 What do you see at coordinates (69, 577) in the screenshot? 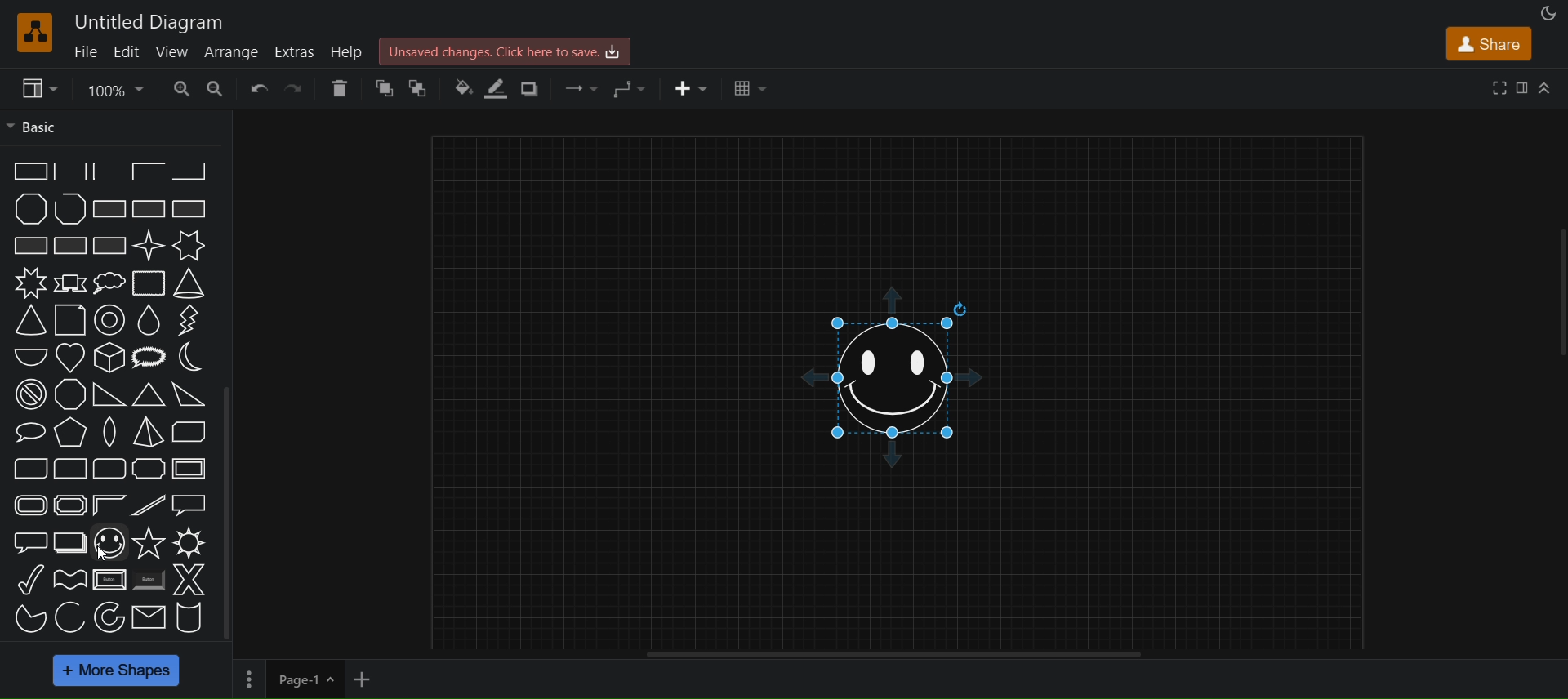
I see `wave` at bounding box center [69, 577].